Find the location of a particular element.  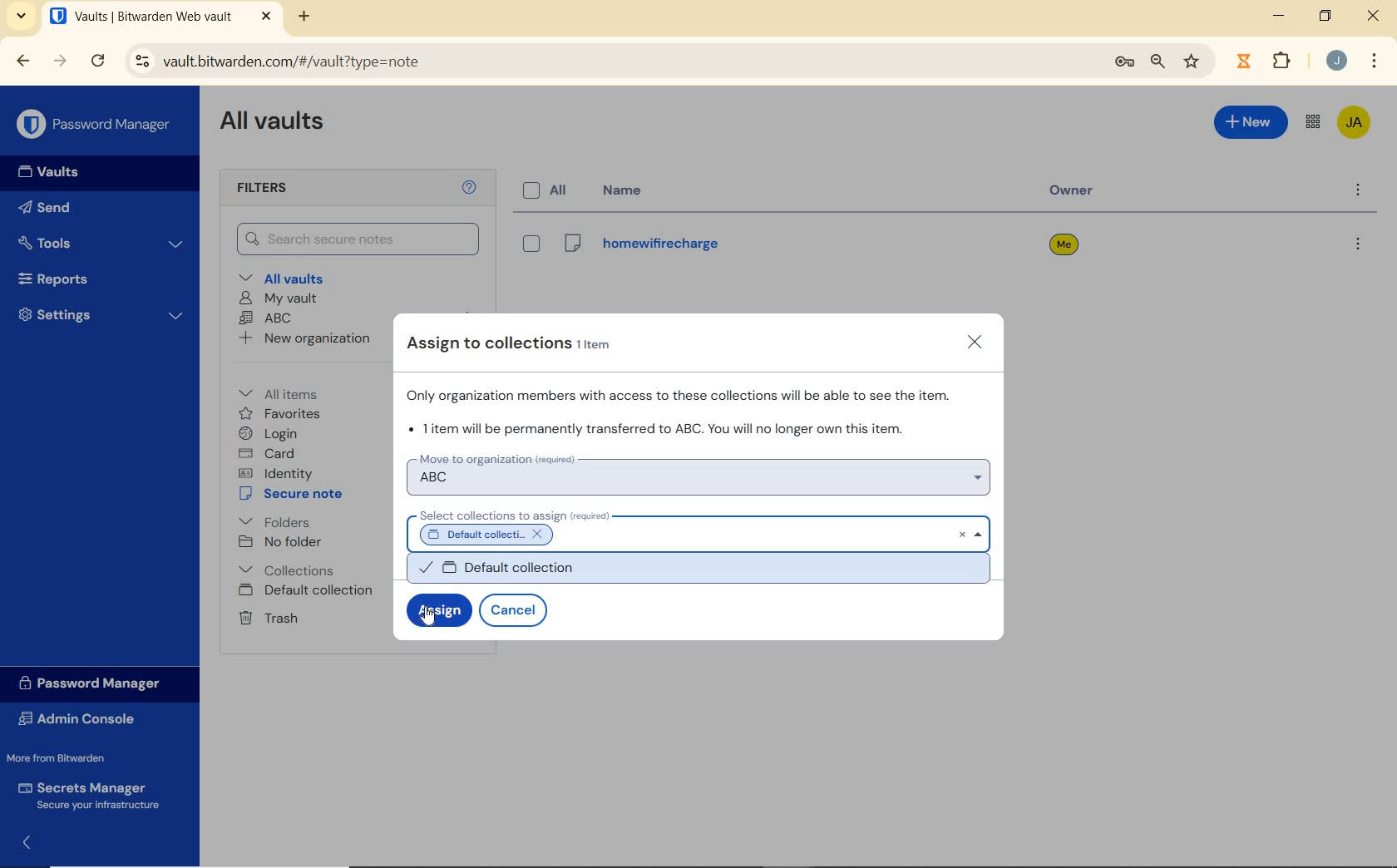

name is located at coordinates (628, 190).